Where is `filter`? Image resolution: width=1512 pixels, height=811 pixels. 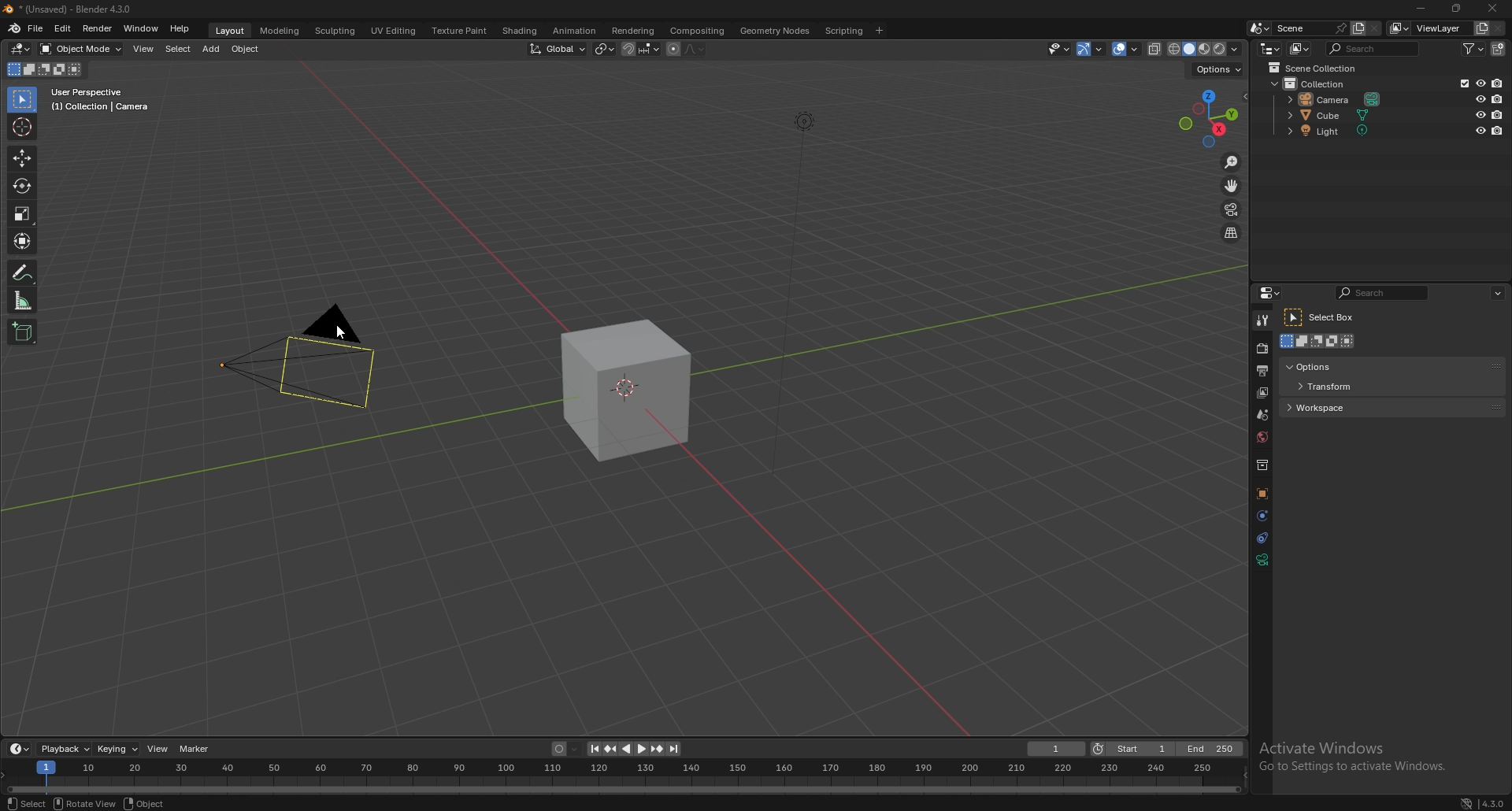
filter is located at coordinates (1474, 50).